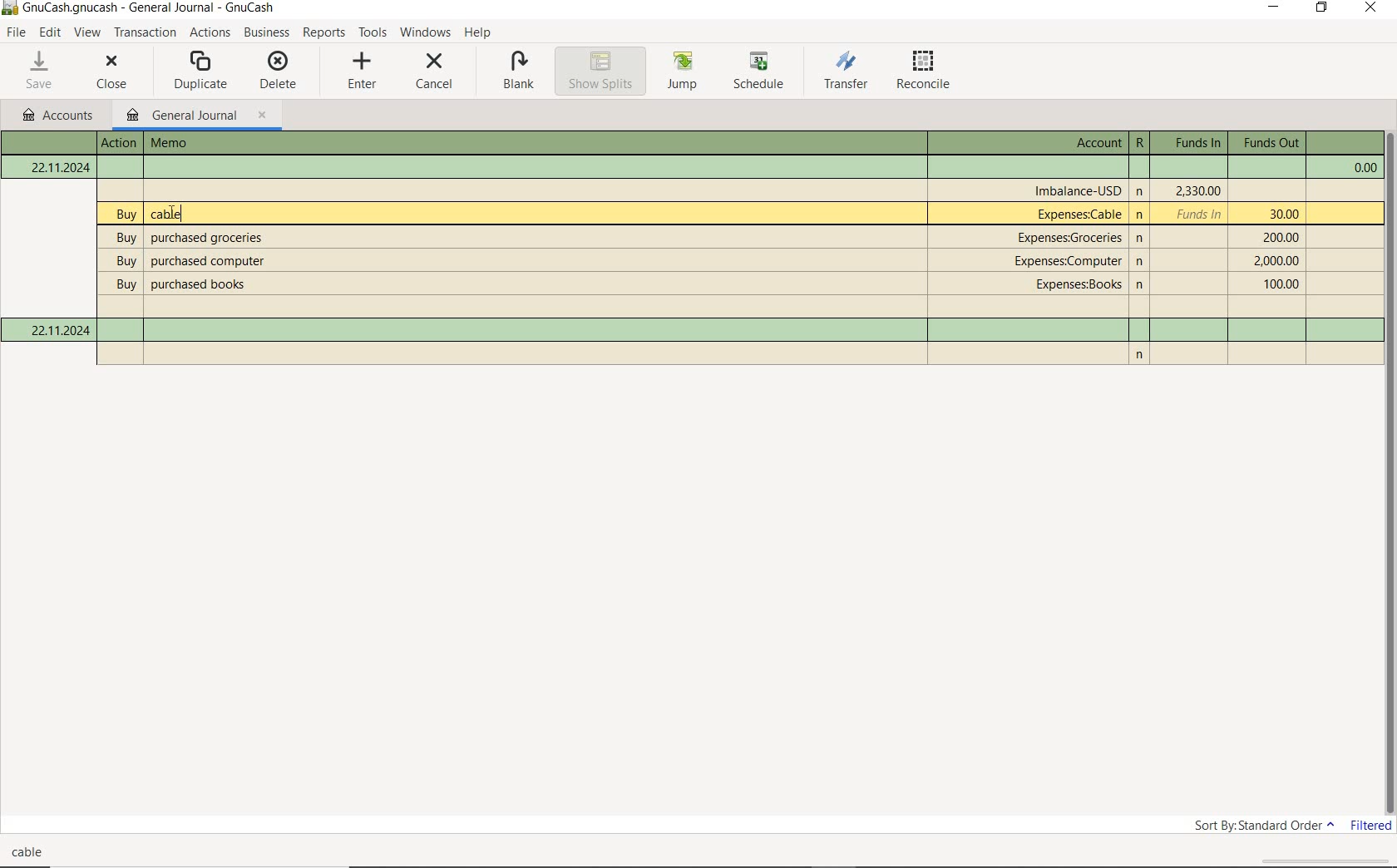 This screenshot has height=868, width=1397. I want to click on Text, so click(758, 214).